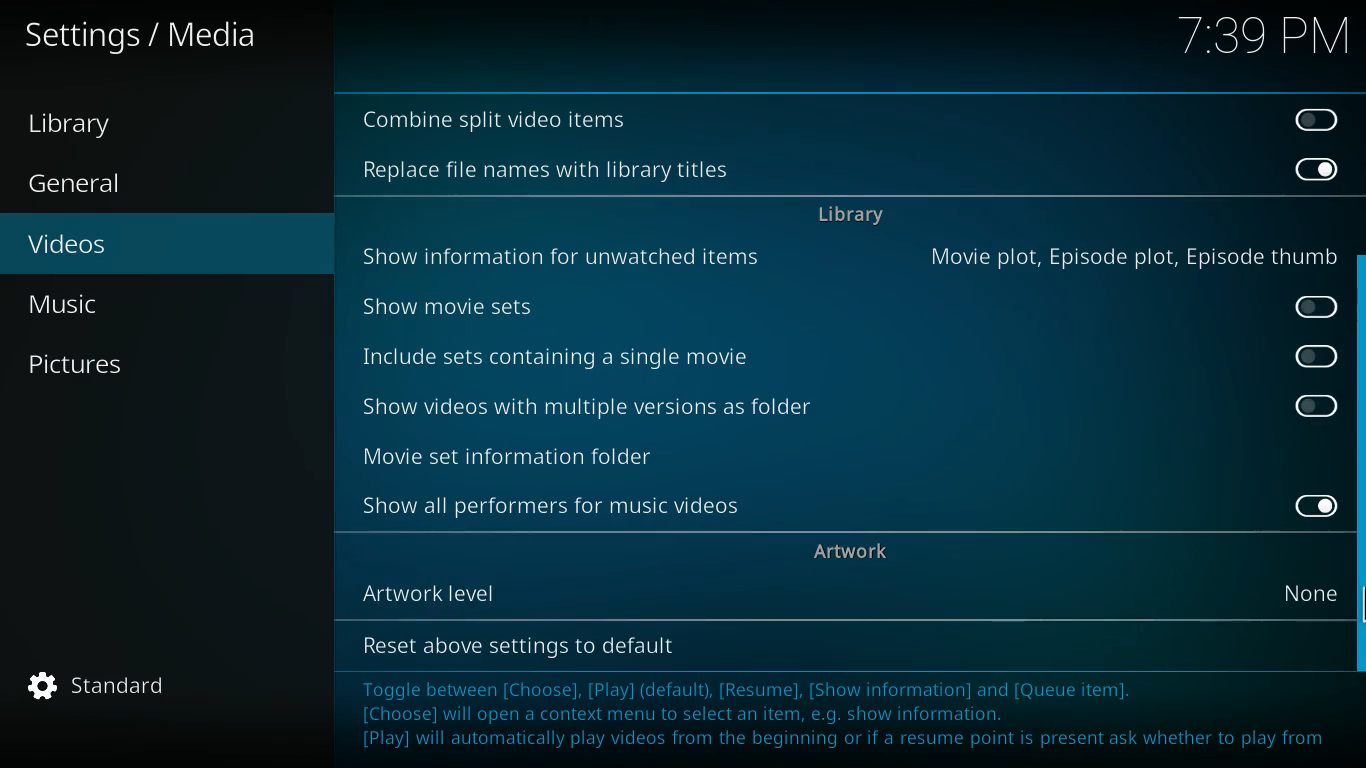 This screenshot has height=768, width=1366. I want to click on off, so click(1317, 406).